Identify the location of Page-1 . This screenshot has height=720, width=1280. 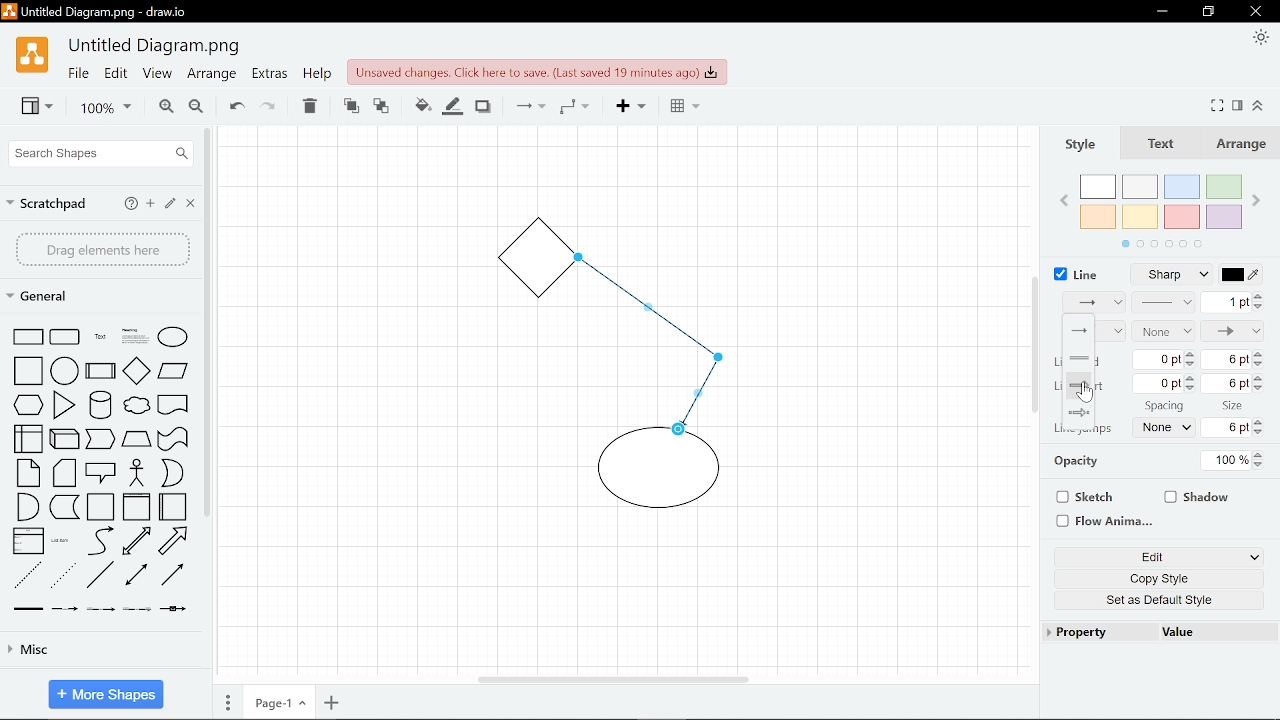
(277, 704).